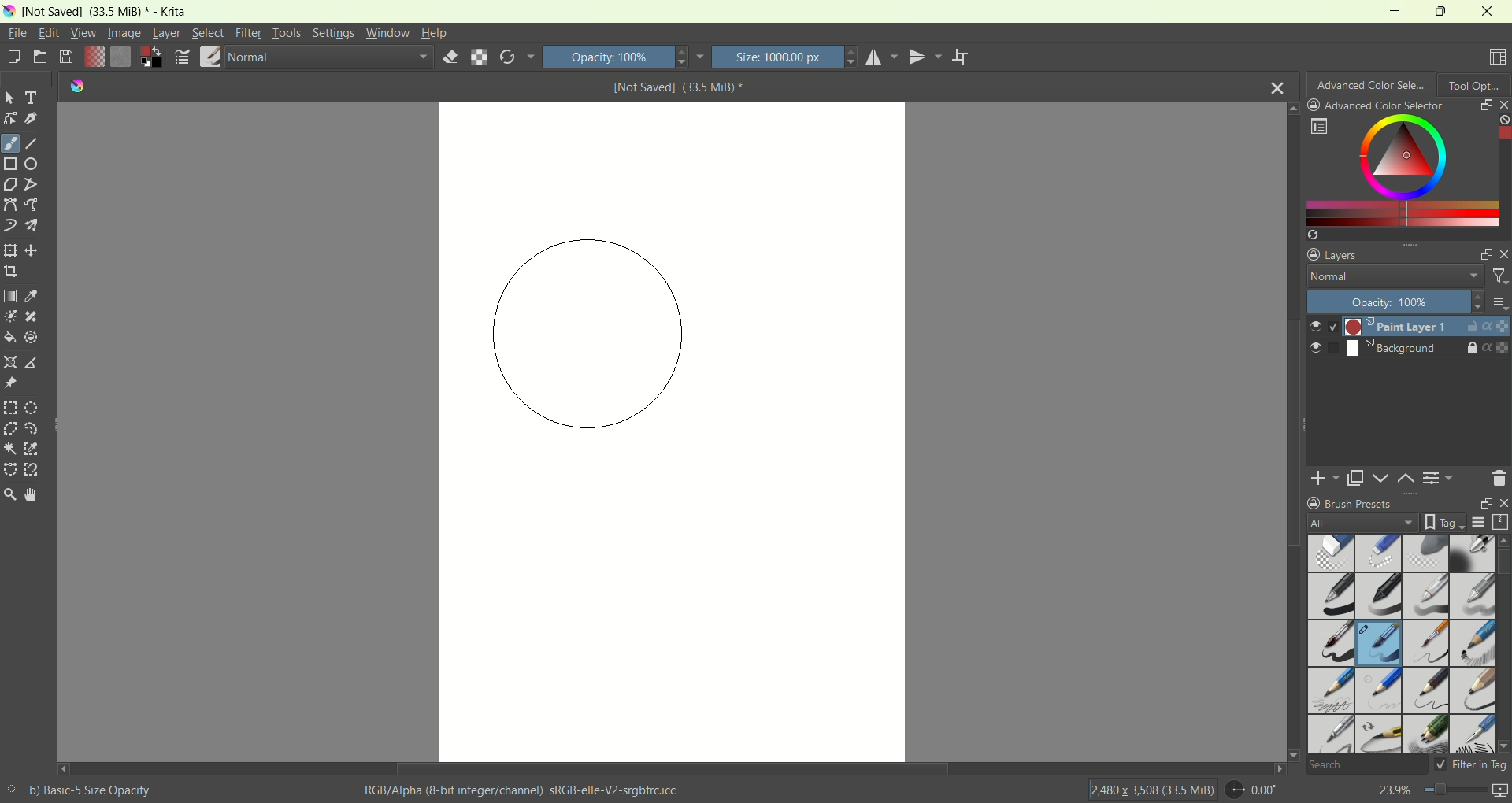 The image size is (1512, 803). Describe the element at coordinates (622, 57) in the screenshot. I see `Opacity 100%` at that location.